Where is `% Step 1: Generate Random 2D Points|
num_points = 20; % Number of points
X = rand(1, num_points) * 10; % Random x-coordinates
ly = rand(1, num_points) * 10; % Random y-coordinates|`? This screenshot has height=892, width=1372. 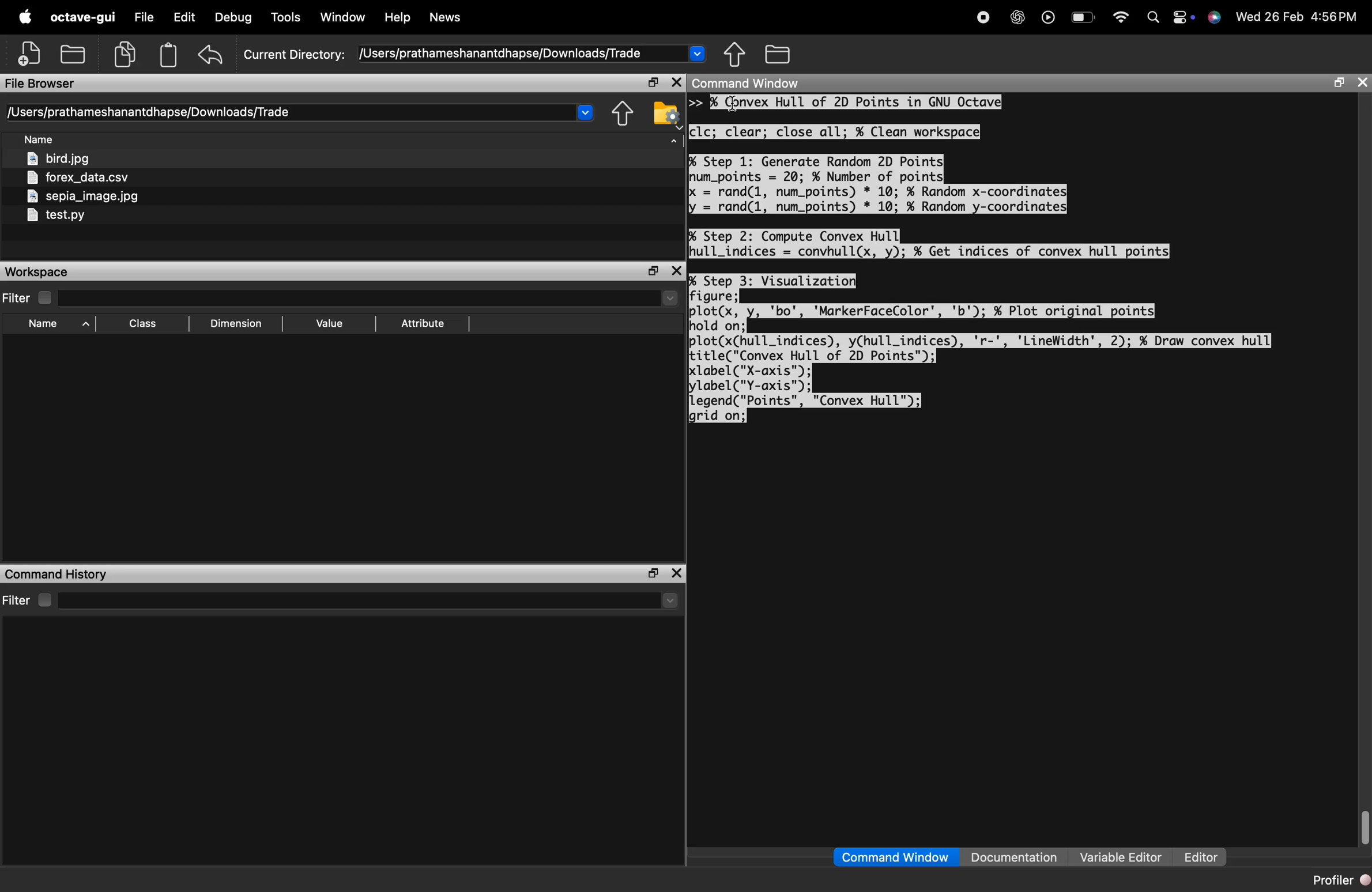 % Step 1: Generate Random 2D Points|
num_points = 20; % Number of points
X = rand(1, num_points) * 10; % Random x-coordinates
ly = rand(1, num_points) * 10; % Random y-coordinates| is located at coordinates (879, 183).